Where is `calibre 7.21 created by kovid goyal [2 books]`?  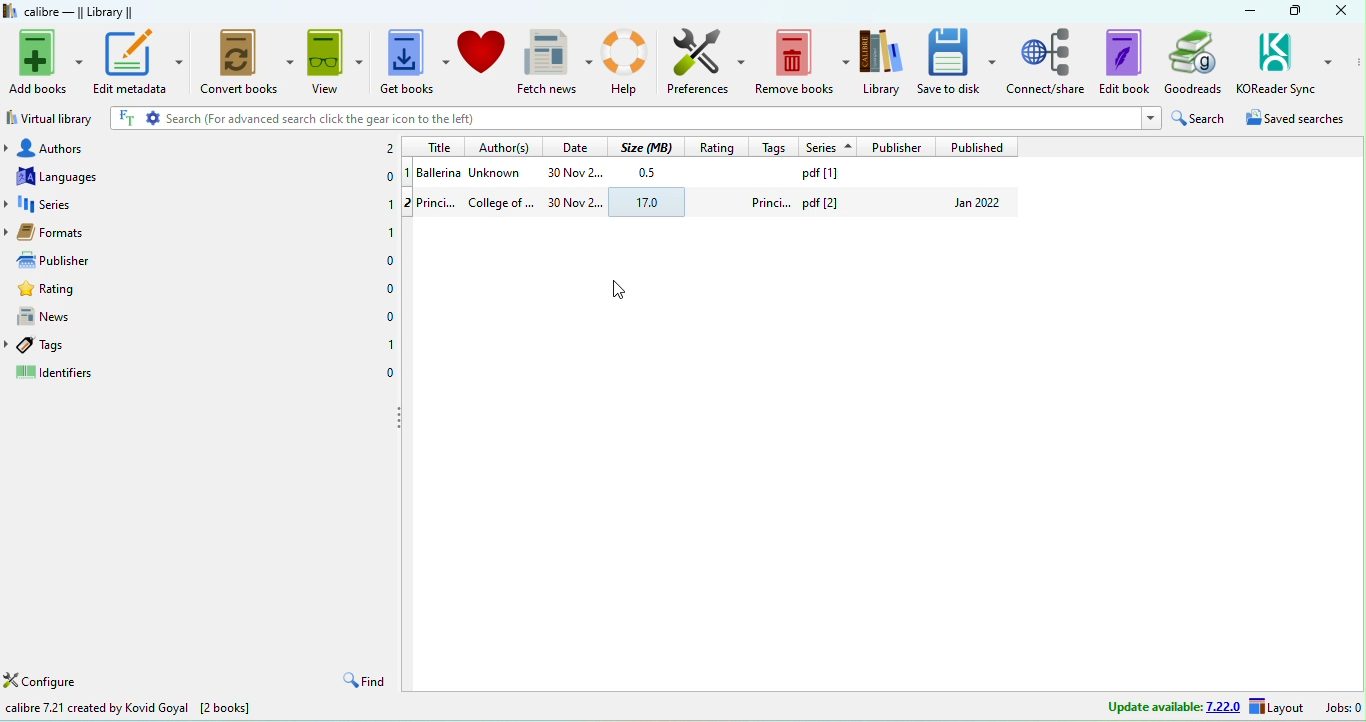 calibre 7.21 created by kovid goyal [2 books] is located at coordinates (146, 709).